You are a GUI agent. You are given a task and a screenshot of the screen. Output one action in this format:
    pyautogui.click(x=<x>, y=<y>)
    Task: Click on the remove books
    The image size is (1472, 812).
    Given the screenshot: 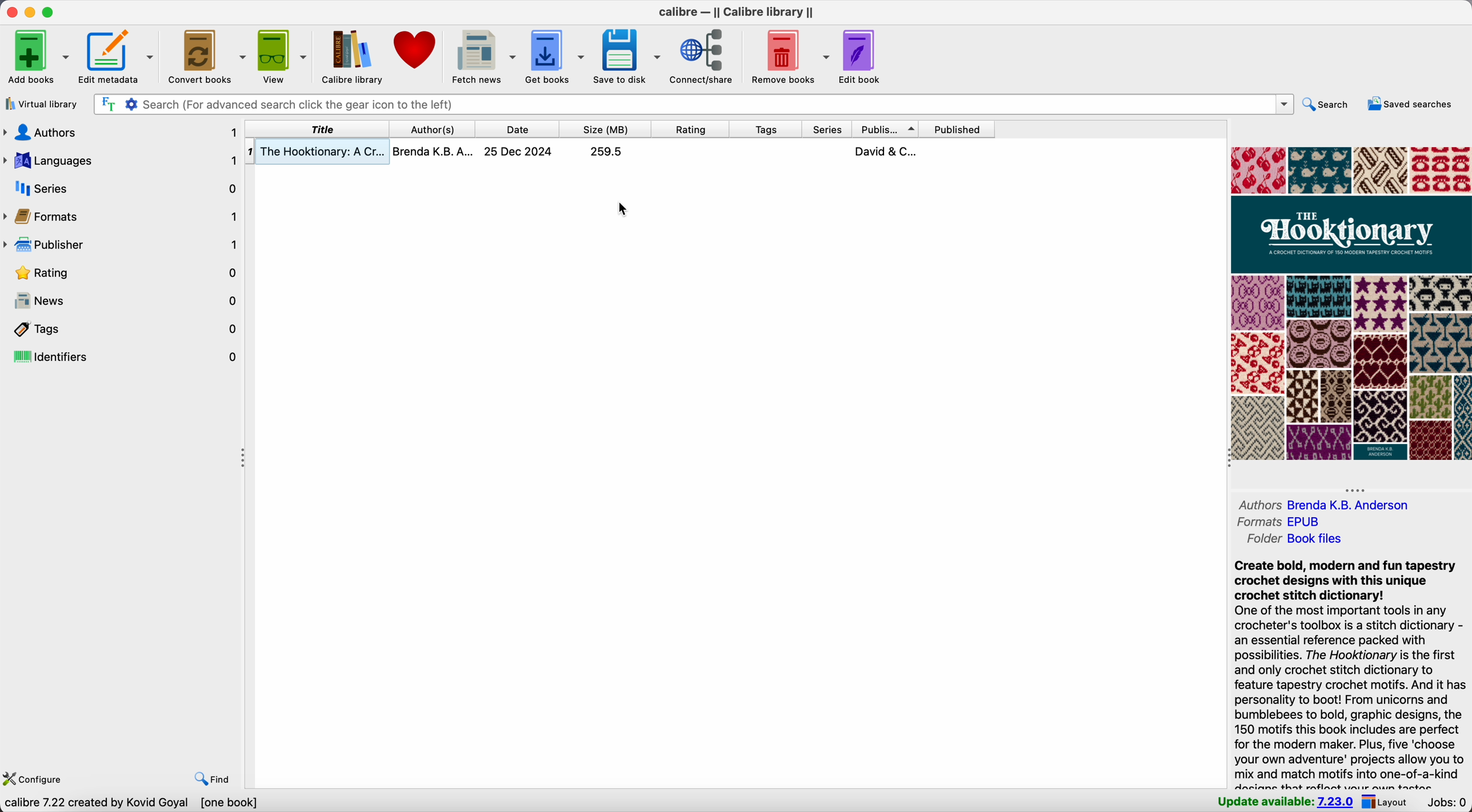 What is the action you would take?
    pyautogui.click(x=789, y=57)
    